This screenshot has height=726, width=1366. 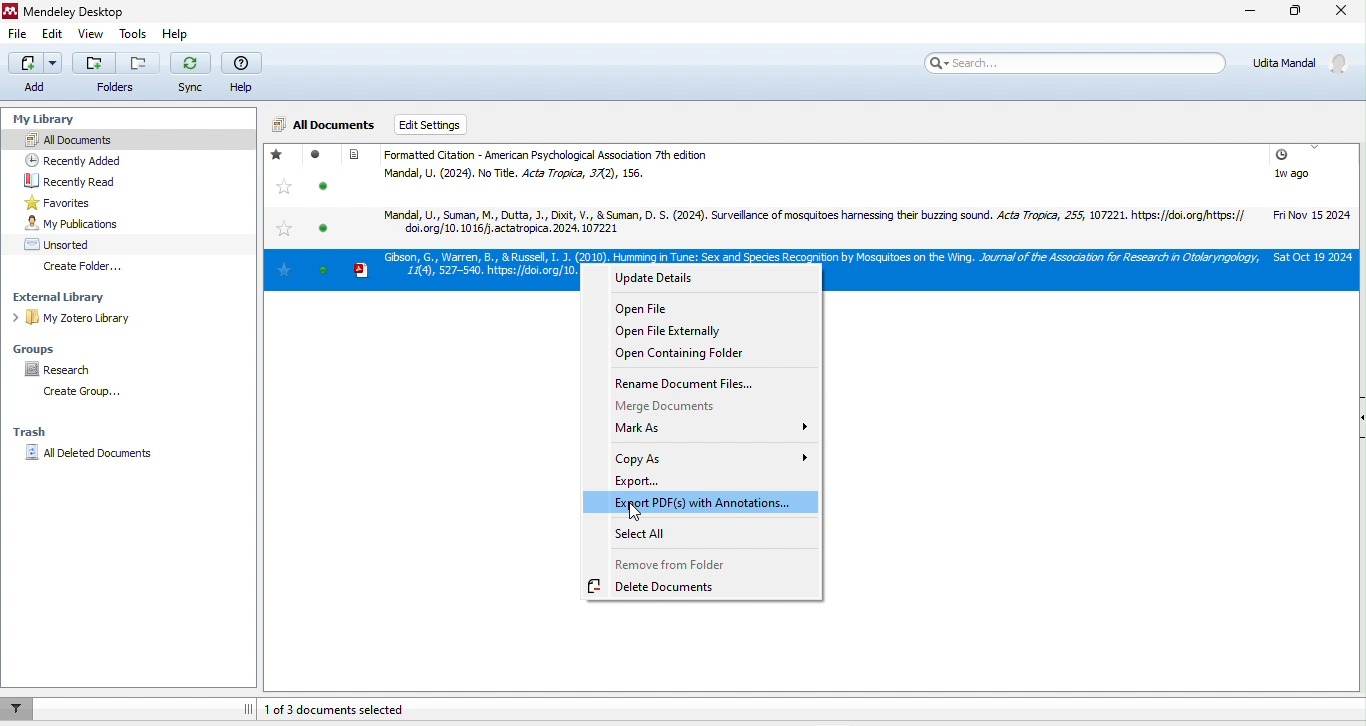 I want to click on all documents, so click(x=326, y=123).